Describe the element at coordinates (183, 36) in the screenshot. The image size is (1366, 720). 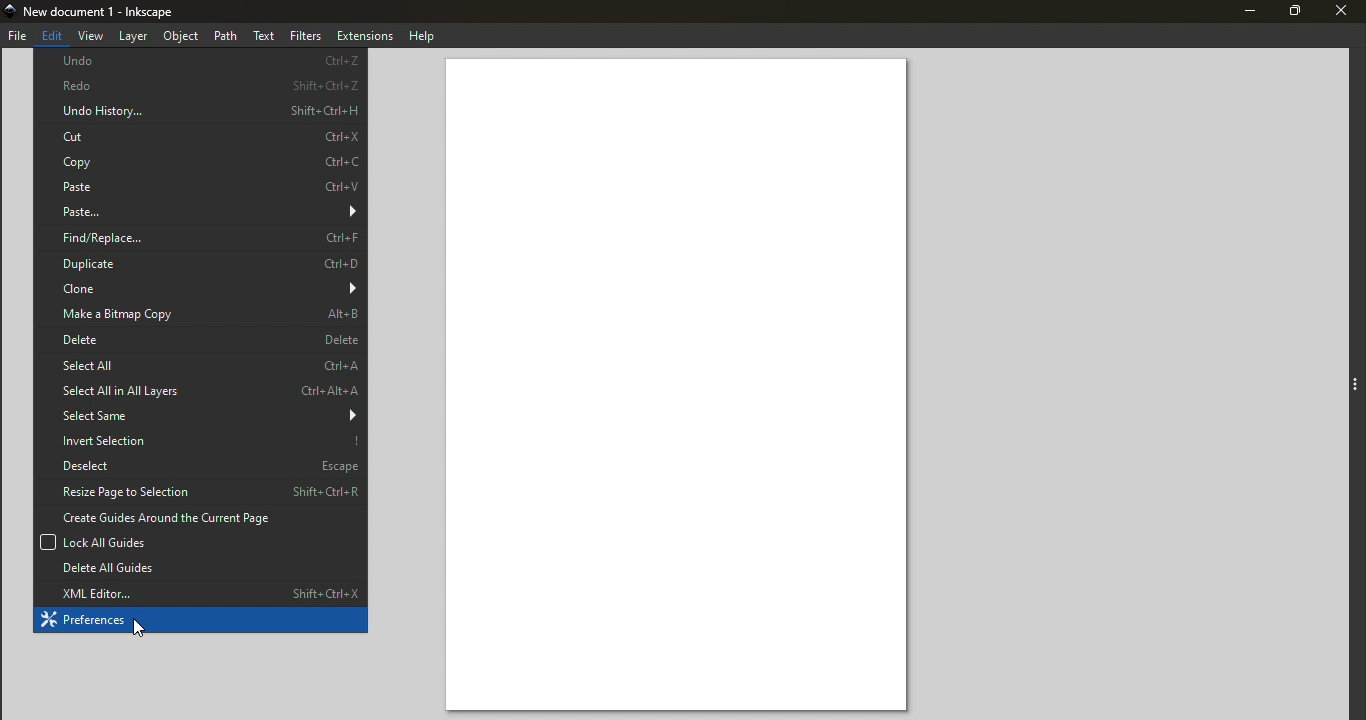
I see `Object` at that location.